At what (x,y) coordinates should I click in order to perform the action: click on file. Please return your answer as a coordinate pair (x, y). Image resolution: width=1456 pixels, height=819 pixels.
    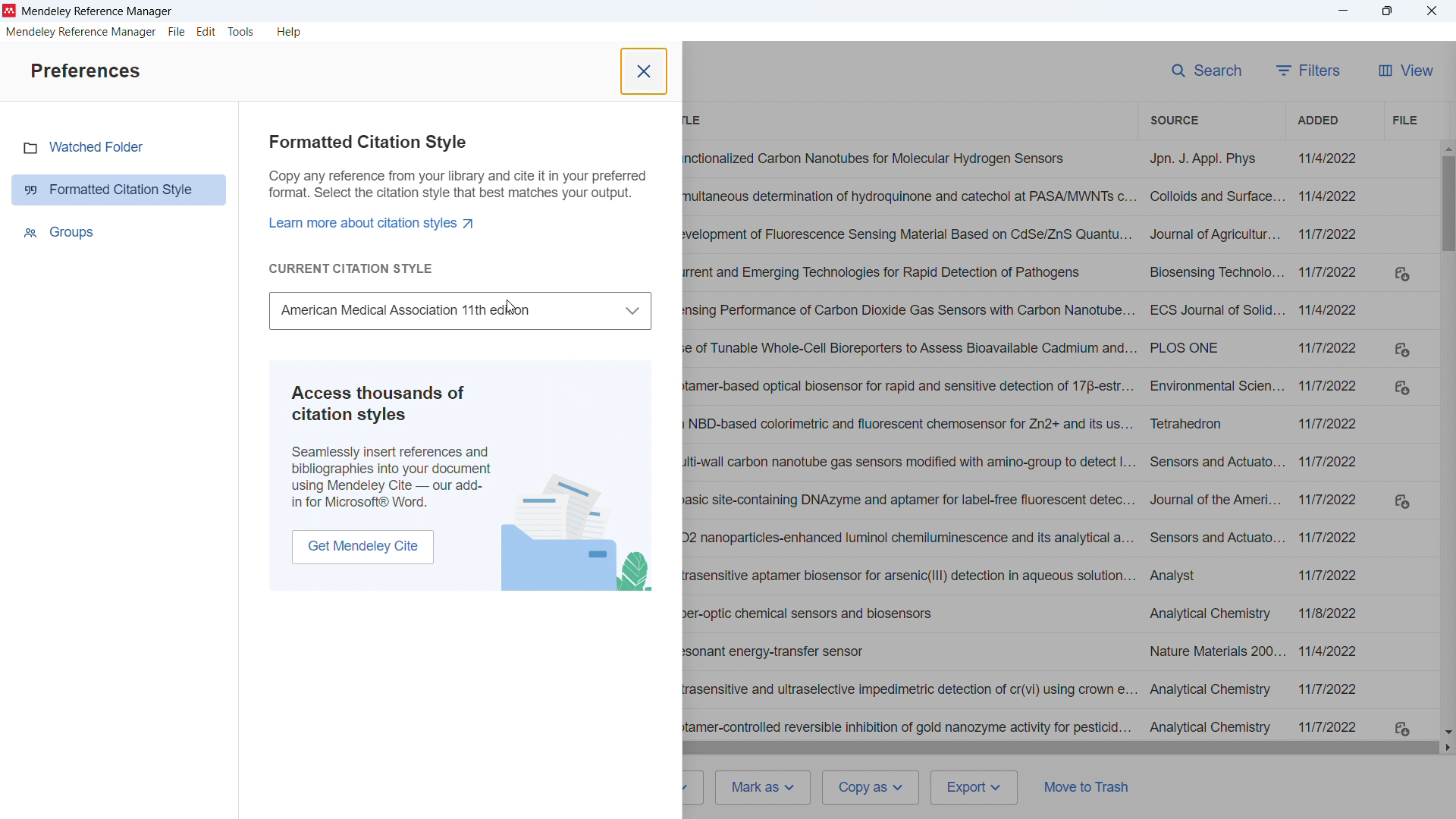
    Looking at the image, I should click on (177, 33).